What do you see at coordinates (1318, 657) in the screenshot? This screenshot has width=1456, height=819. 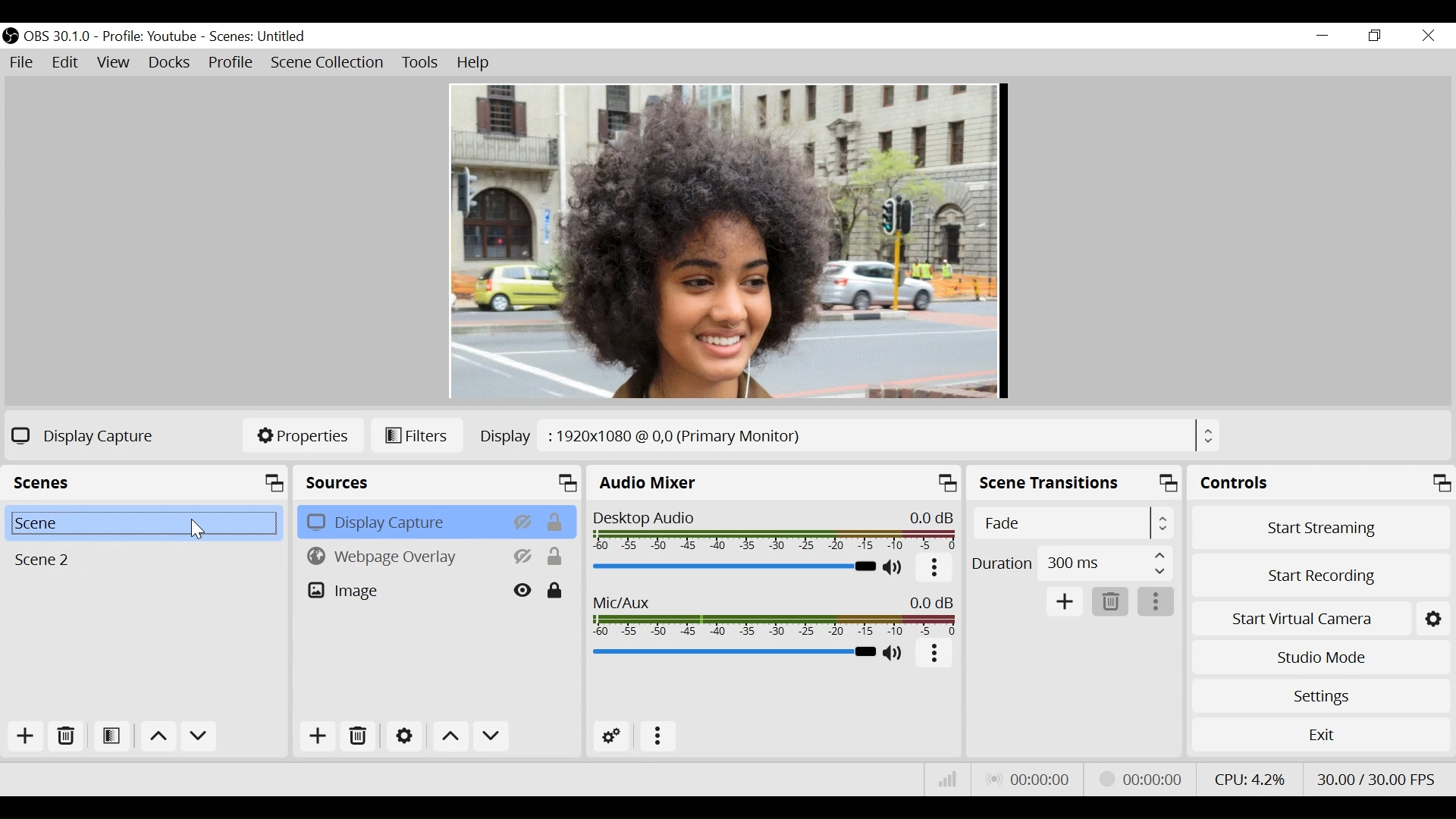 I see `Studio Mode` at bounding box center [1318, 657].